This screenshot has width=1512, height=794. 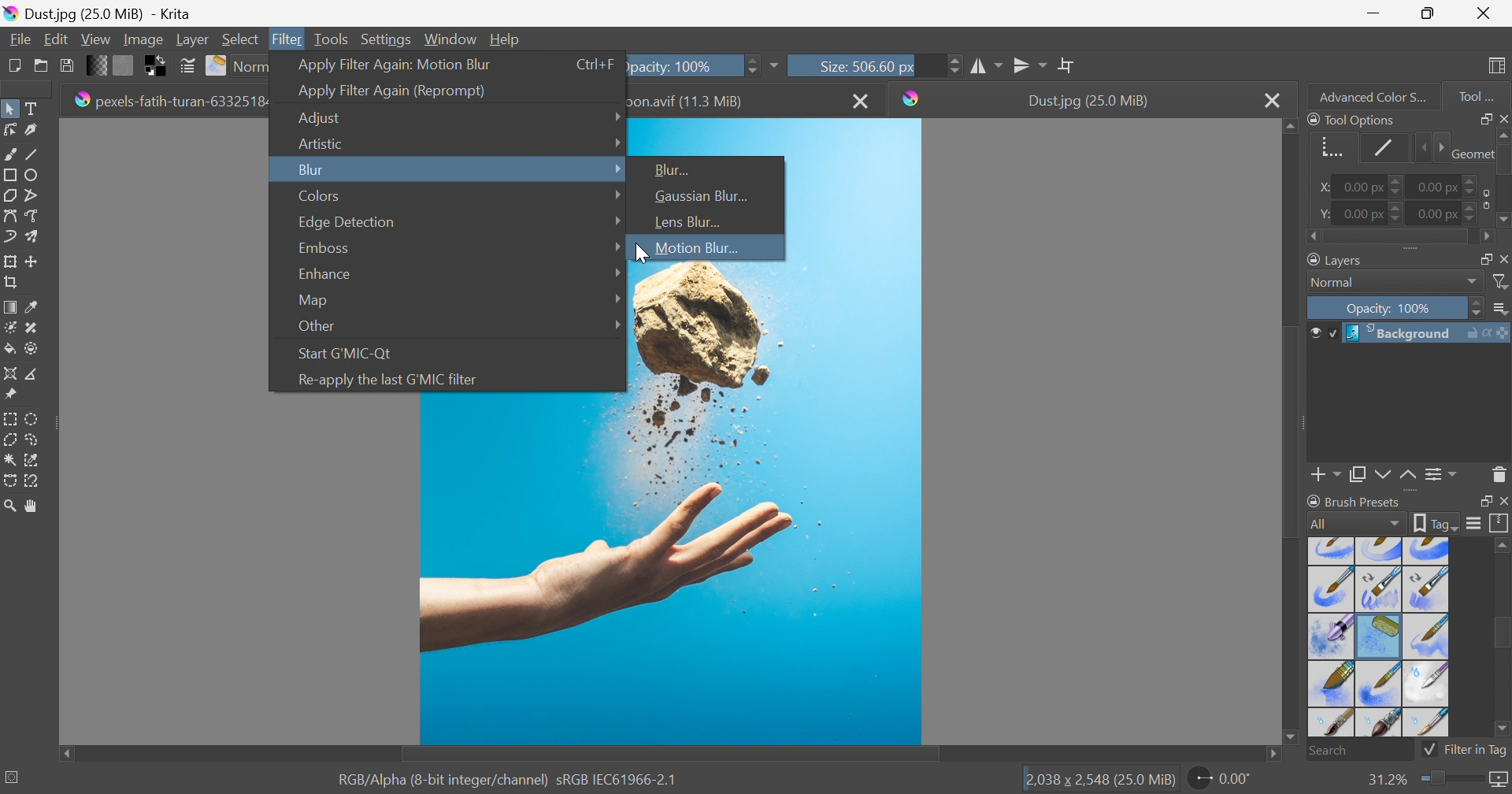 I want to click on Select, so click(x=241, y=39).